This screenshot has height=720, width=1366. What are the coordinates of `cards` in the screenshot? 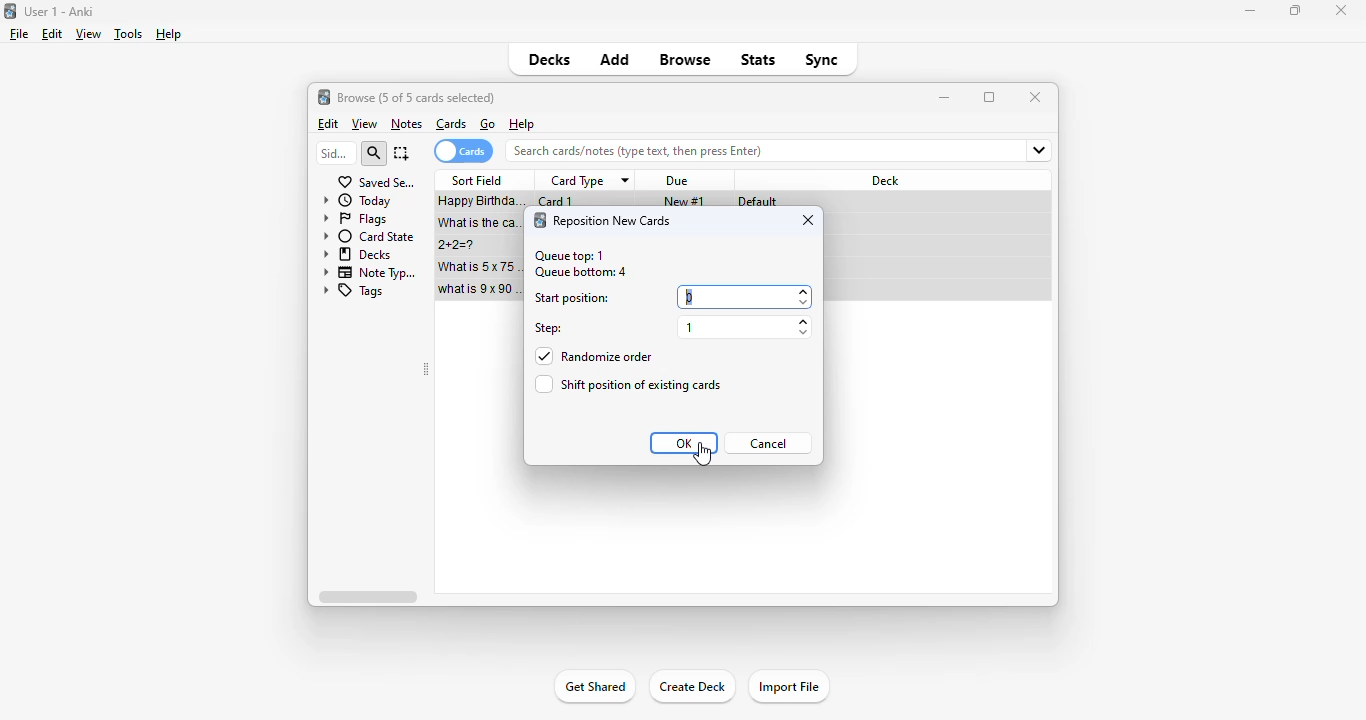 It's located at (463, 151).